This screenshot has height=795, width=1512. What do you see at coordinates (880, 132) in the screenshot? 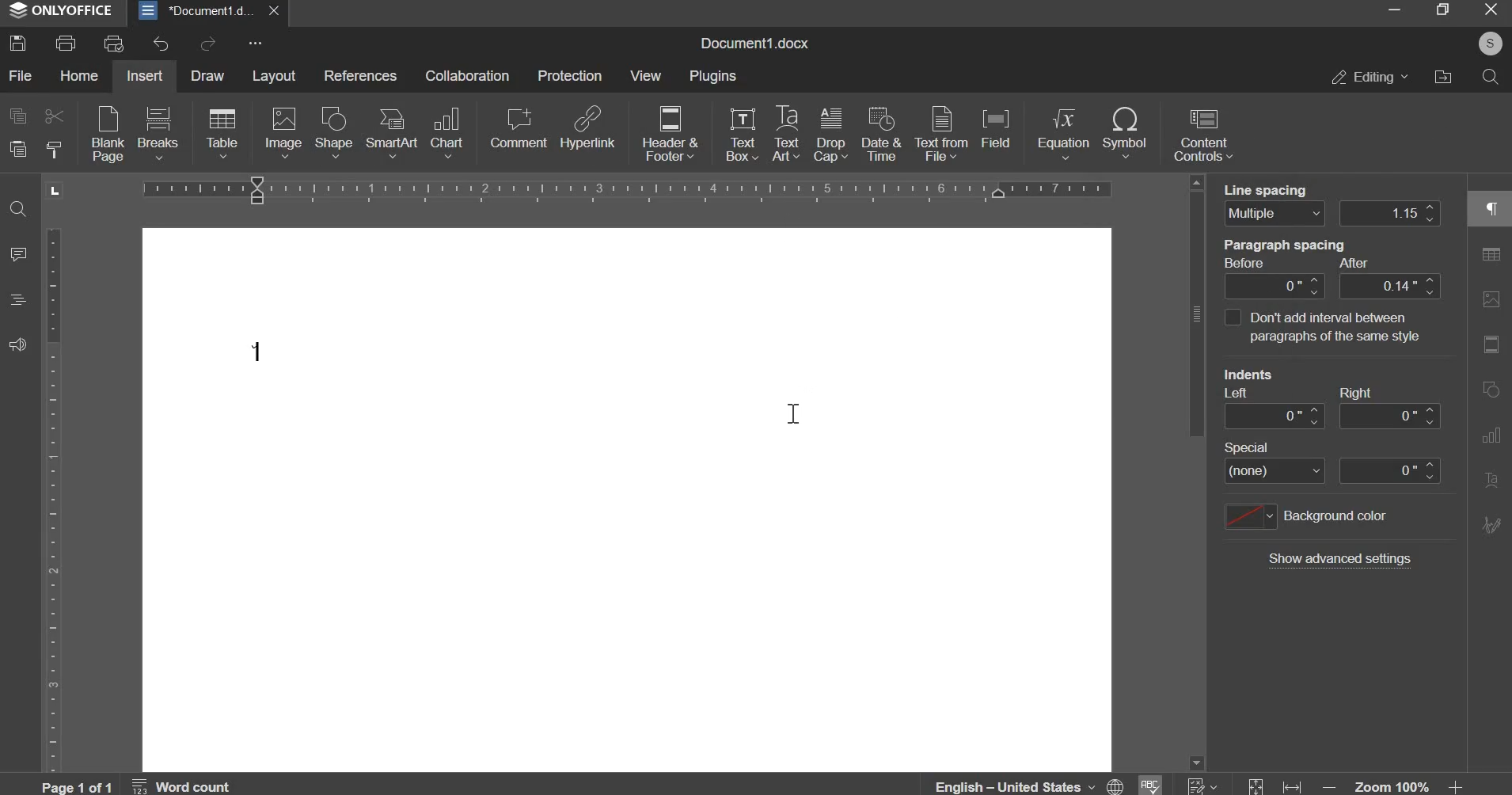
I see `date & time` at bounding box center [880, 132].